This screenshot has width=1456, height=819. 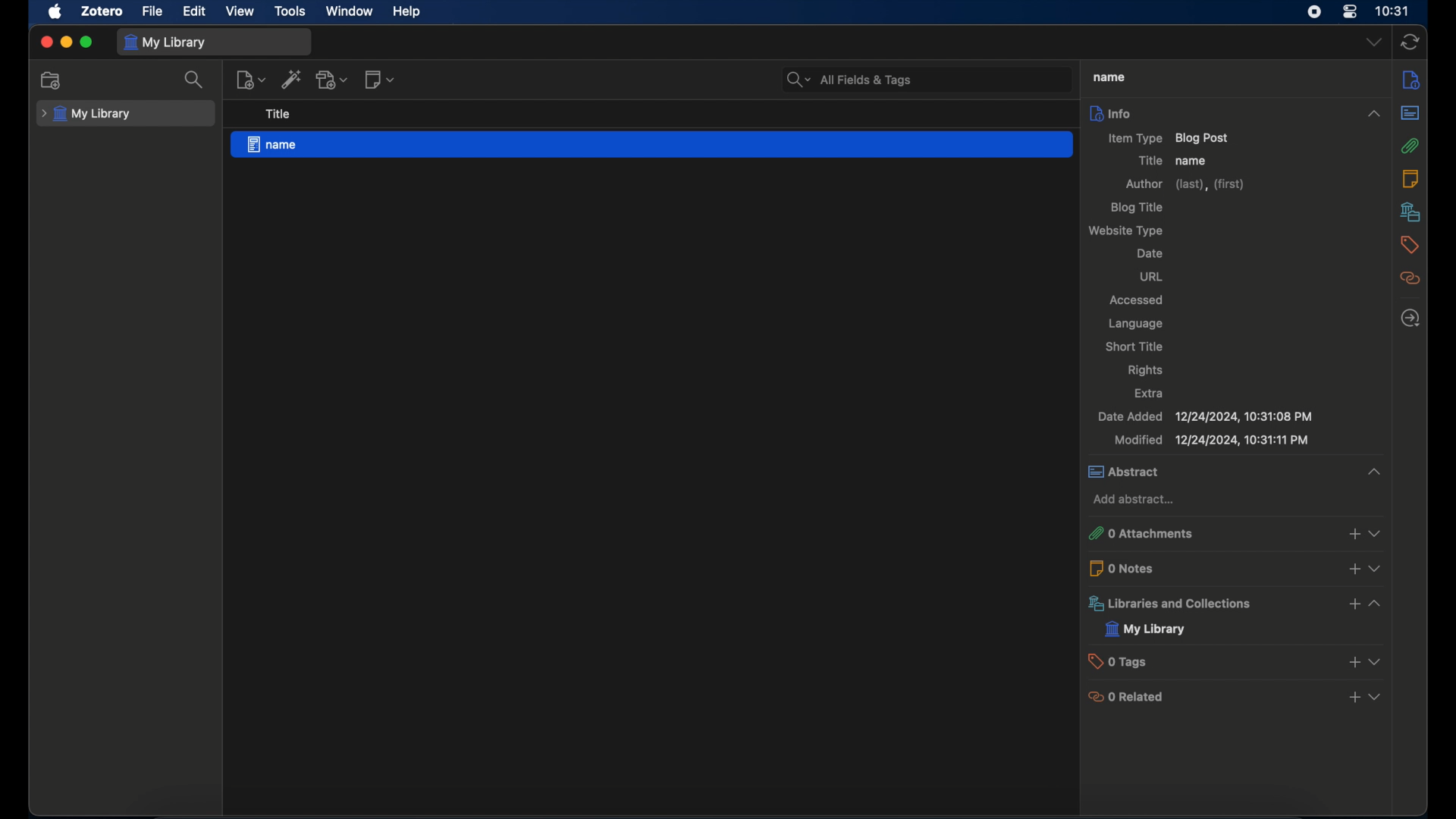 What do you see at coordinates (1153, 276) in the screenshot?
I see `url` at bounding box center [1153, 276].